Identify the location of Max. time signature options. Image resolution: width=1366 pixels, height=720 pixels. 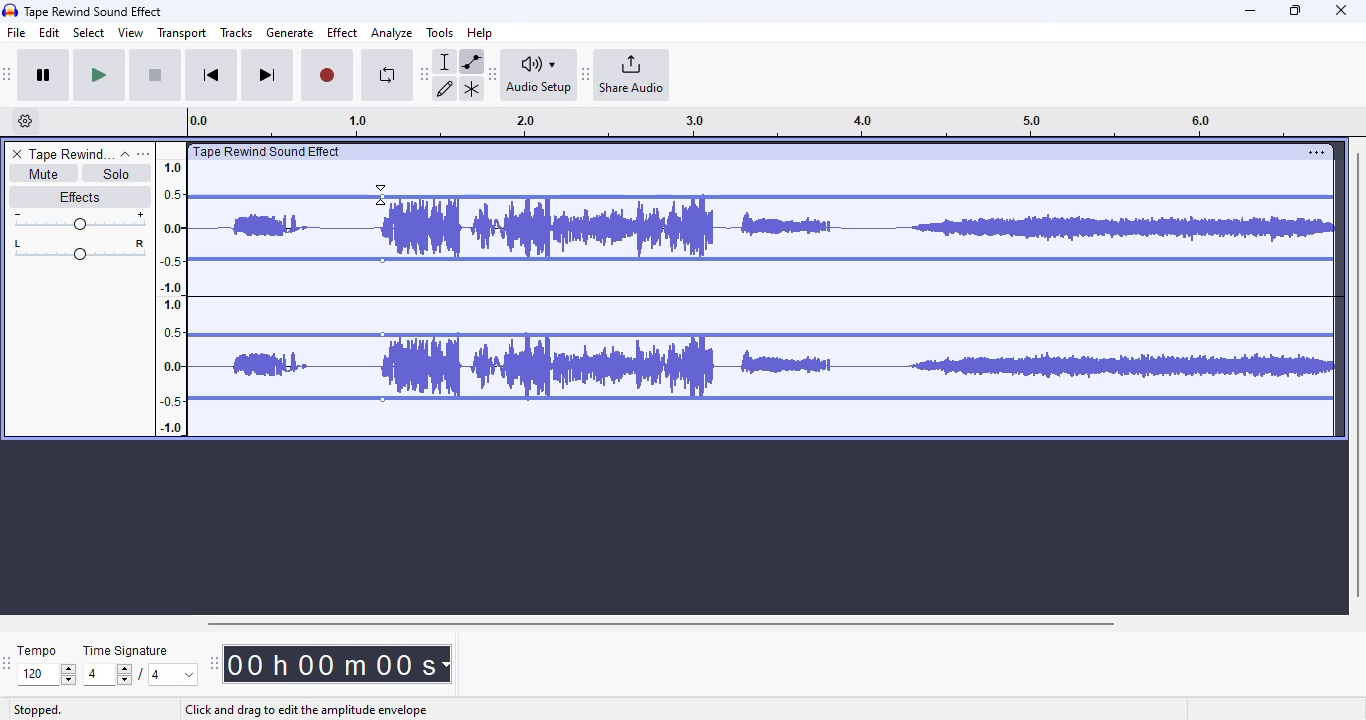
(174, 674).